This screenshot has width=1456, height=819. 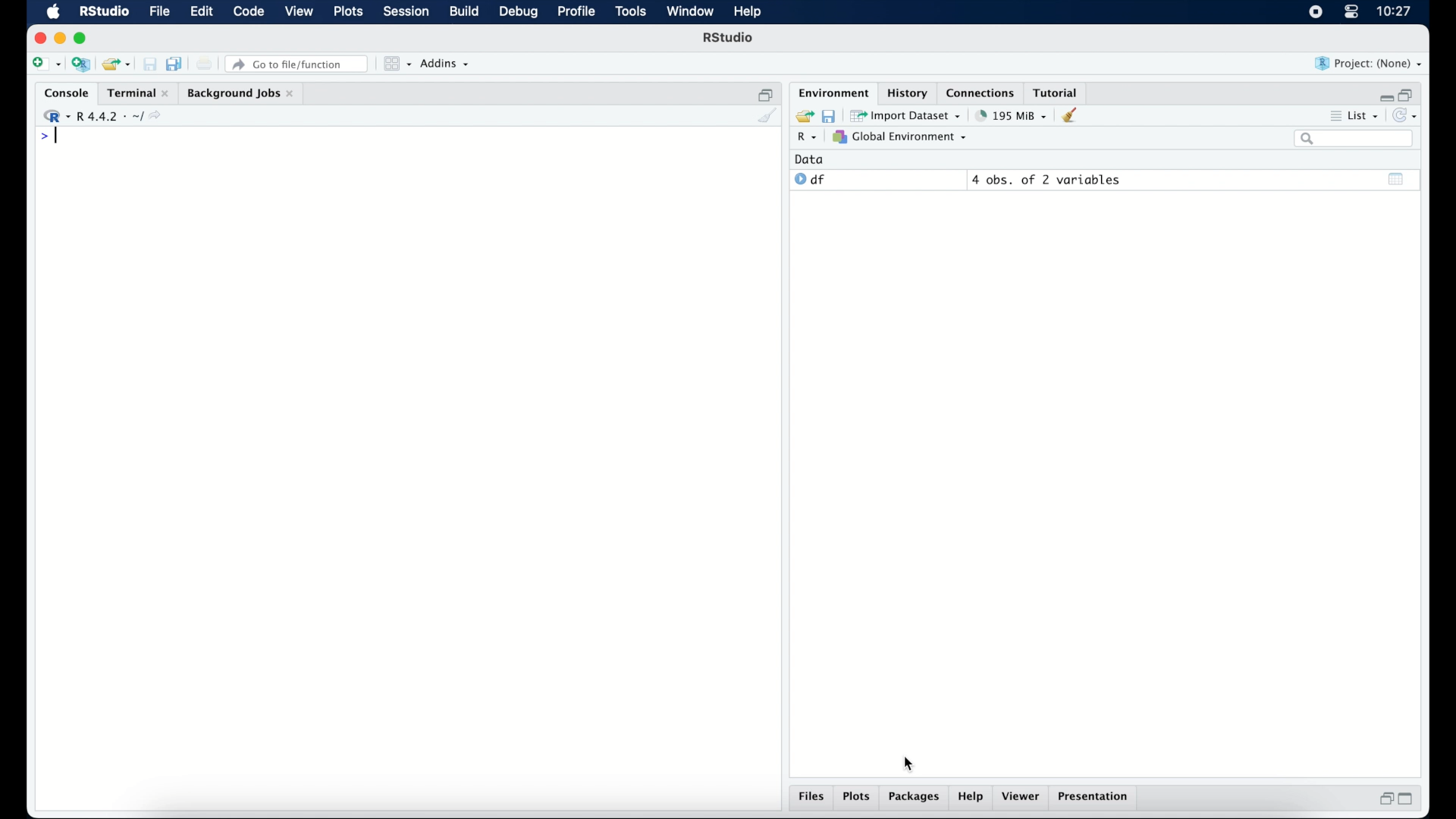 I want to click on load workspace, so click(x=802, y=115).